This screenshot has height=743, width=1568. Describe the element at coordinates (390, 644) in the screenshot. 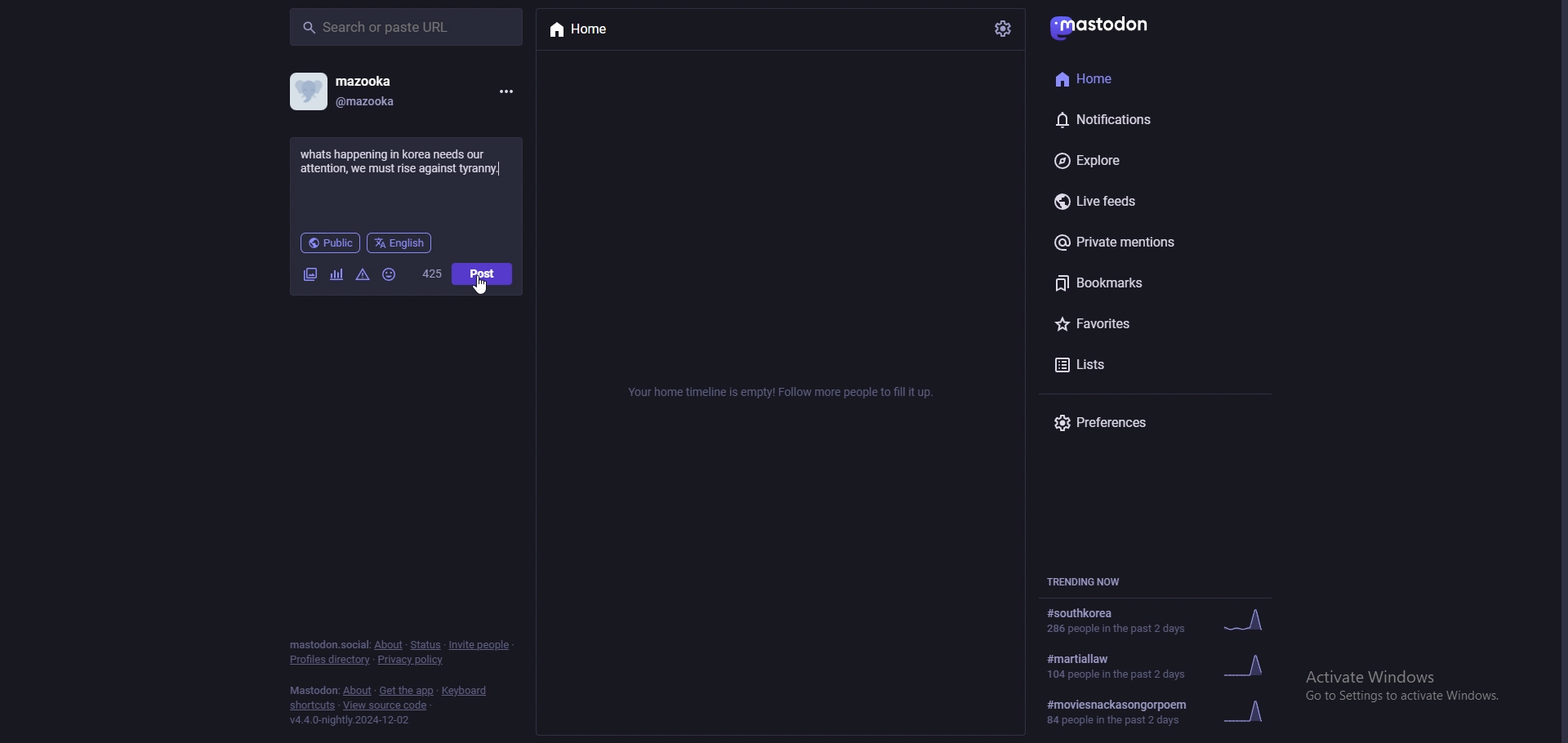

I see `about` at that location.